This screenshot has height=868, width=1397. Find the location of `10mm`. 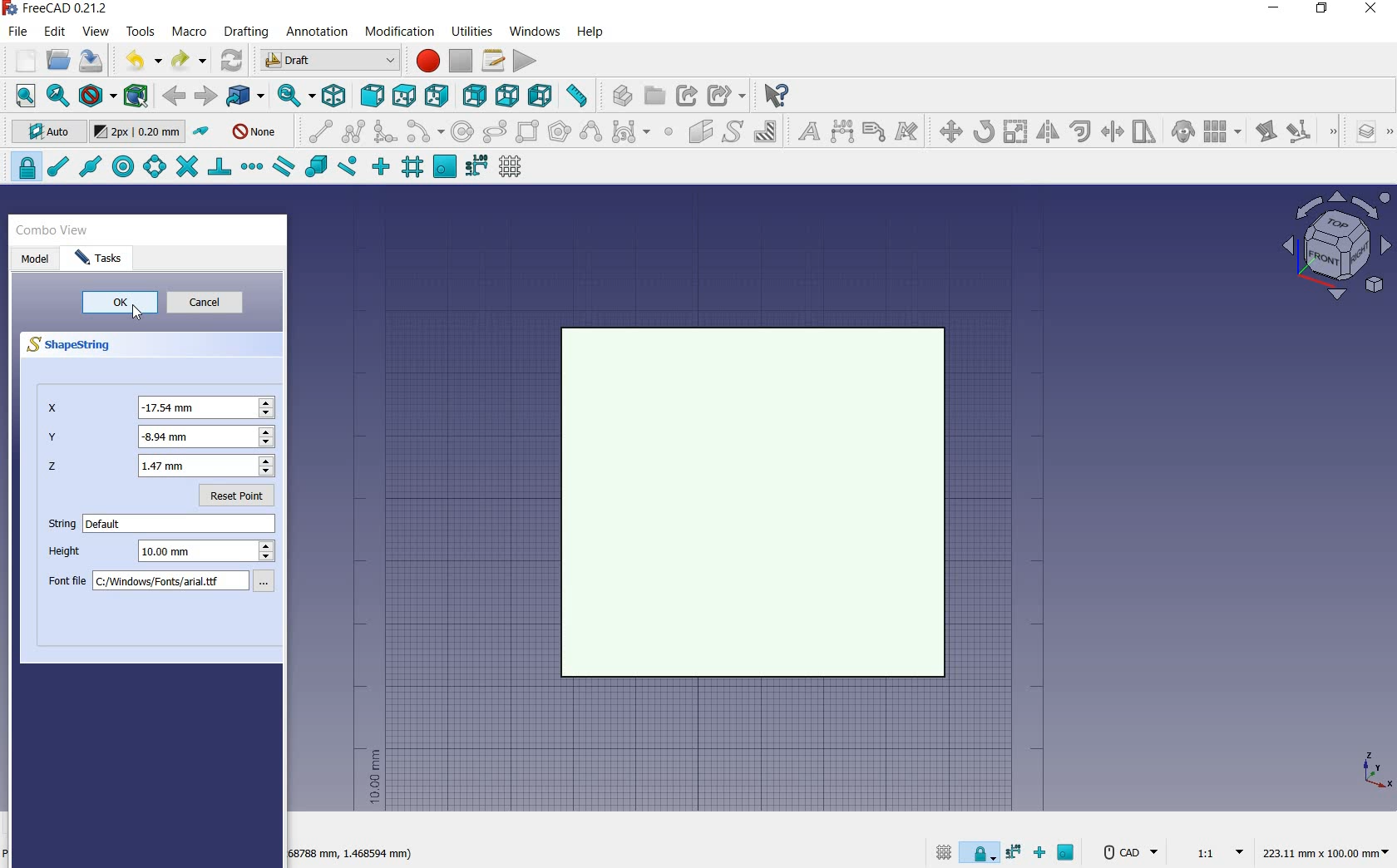

10mm is located at coordinates (373, 777).